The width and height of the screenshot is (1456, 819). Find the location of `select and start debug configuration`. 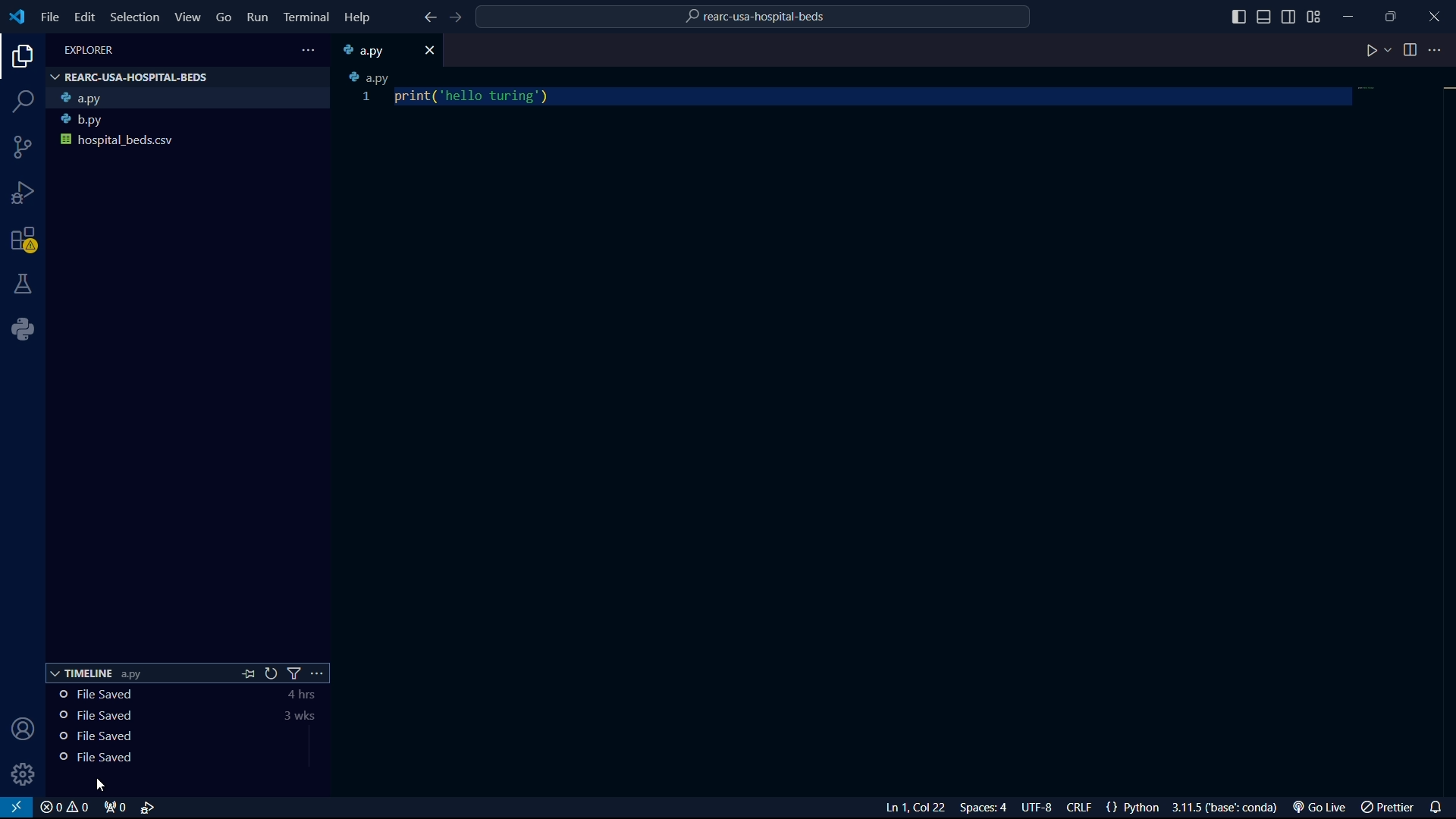

select and start debug configuration is located at coordinates (149, 808).